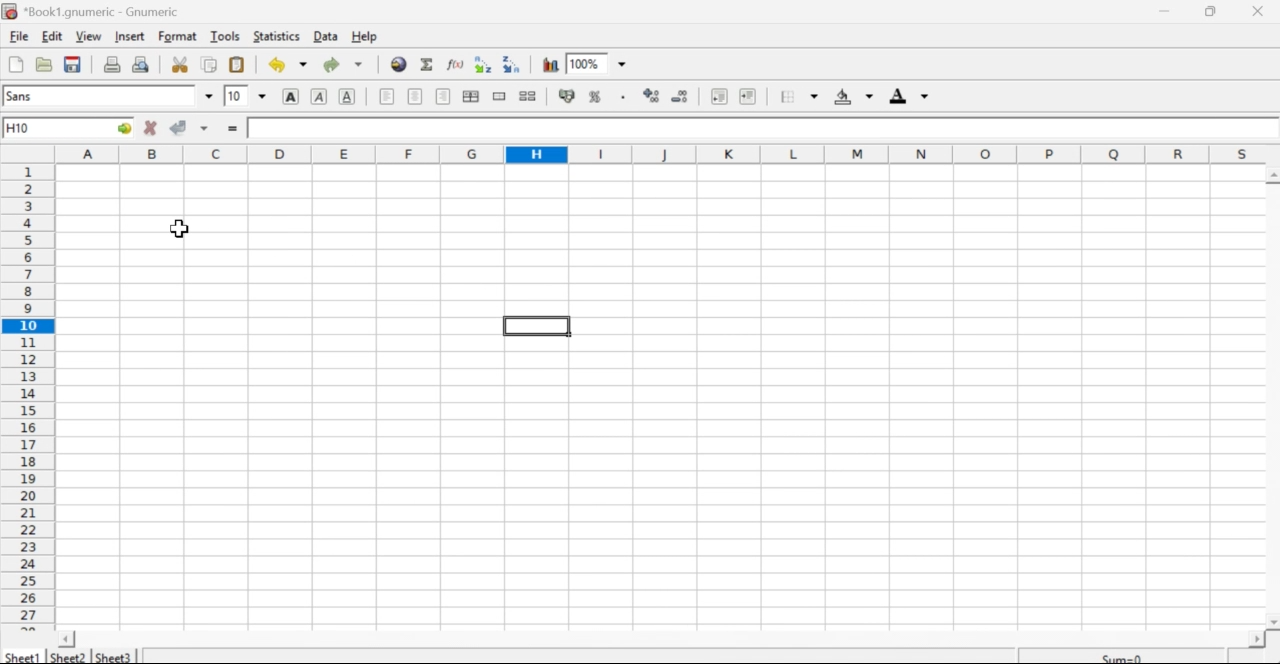 The height and width of the screenshot is (664, 1280). What do you see at coordinates (812, 97) in the screenshot?
I see `down` at bounding box center [812, 97].